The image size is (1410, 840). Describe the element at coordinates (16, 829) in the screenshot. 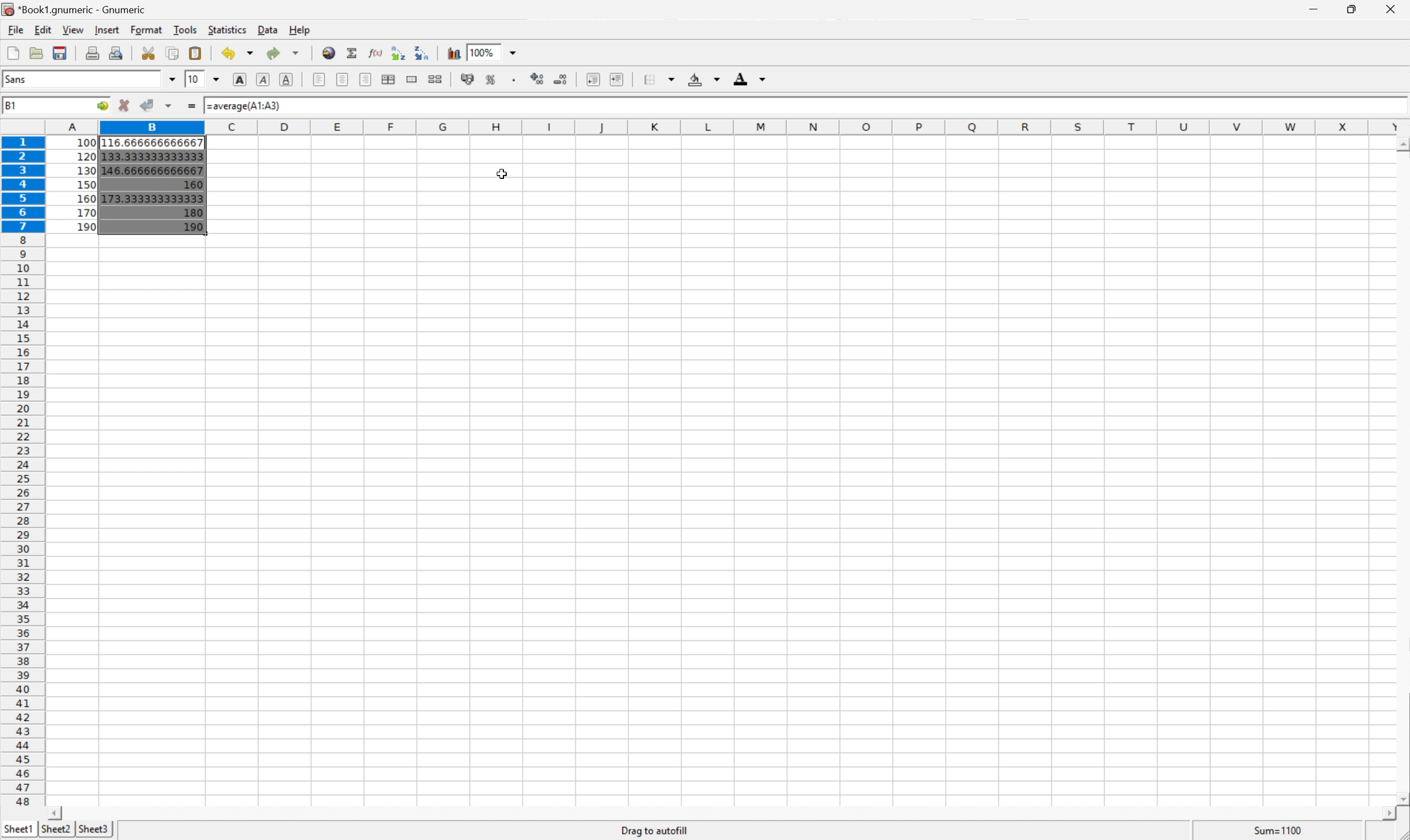

I see `Sheet1` at that location.